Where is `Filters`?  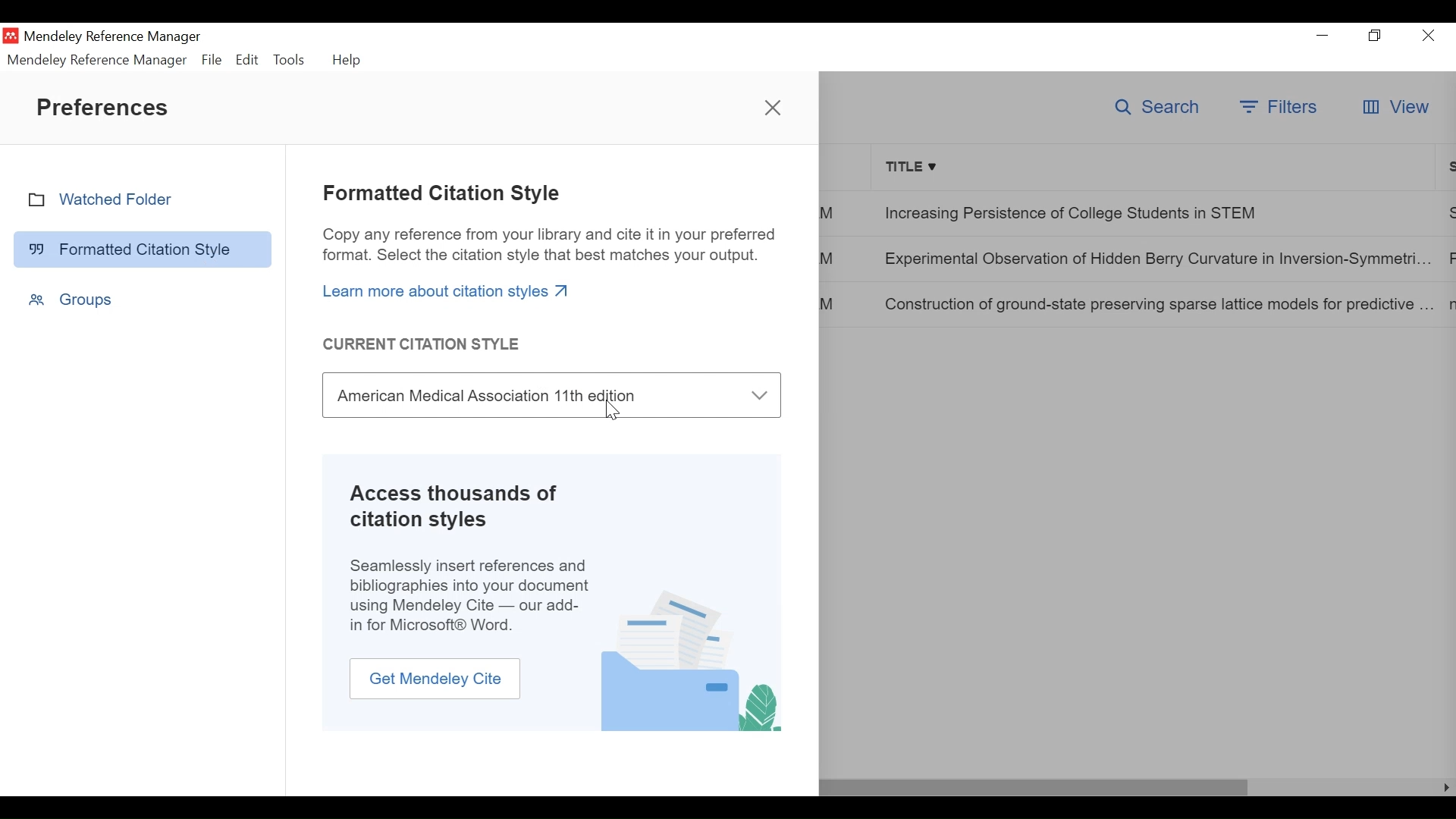
Filters is located at coordinates (1280, 108).